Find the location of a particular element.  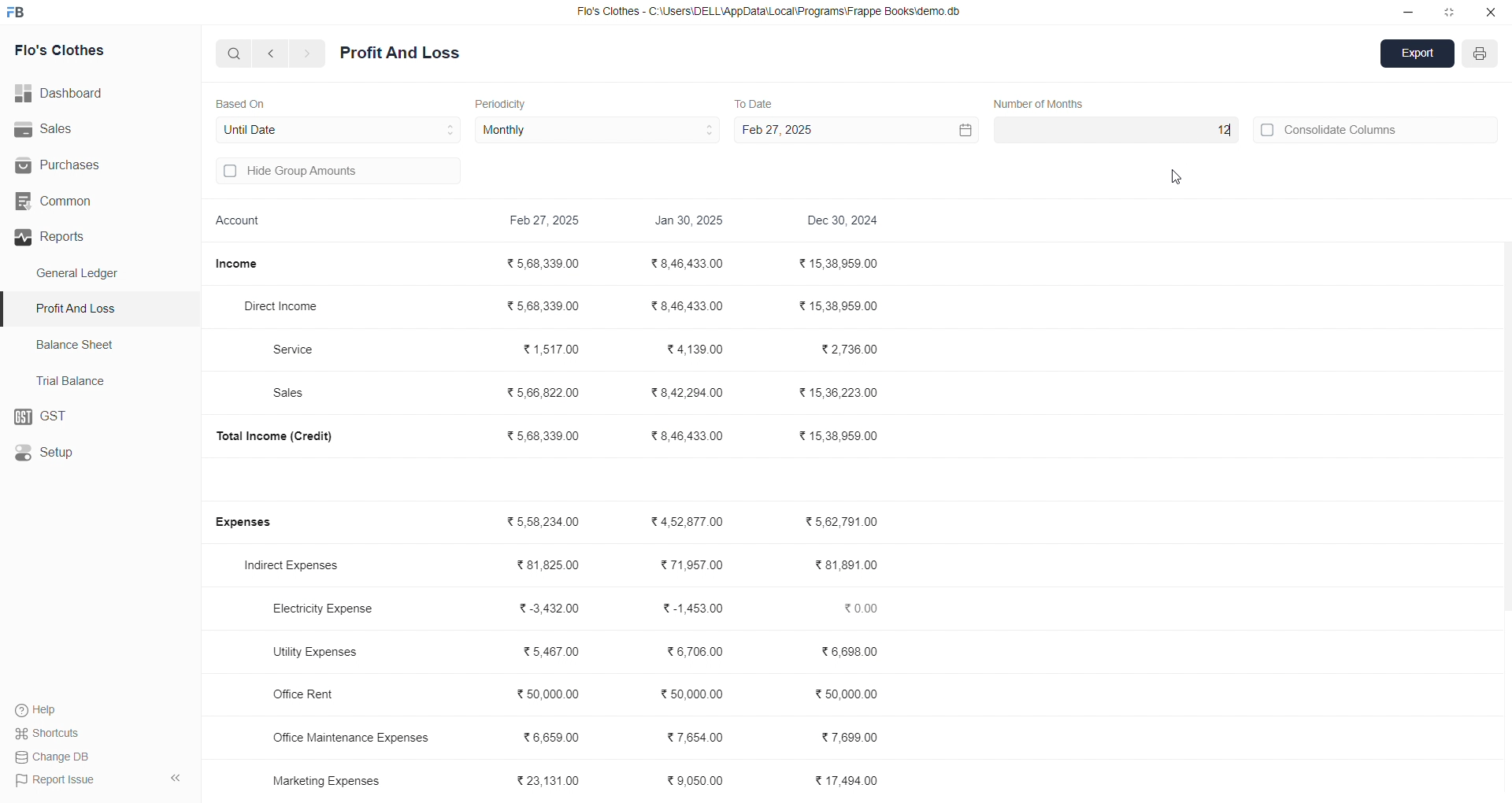

Indirect Expenses is located at coordinates (297, 567).